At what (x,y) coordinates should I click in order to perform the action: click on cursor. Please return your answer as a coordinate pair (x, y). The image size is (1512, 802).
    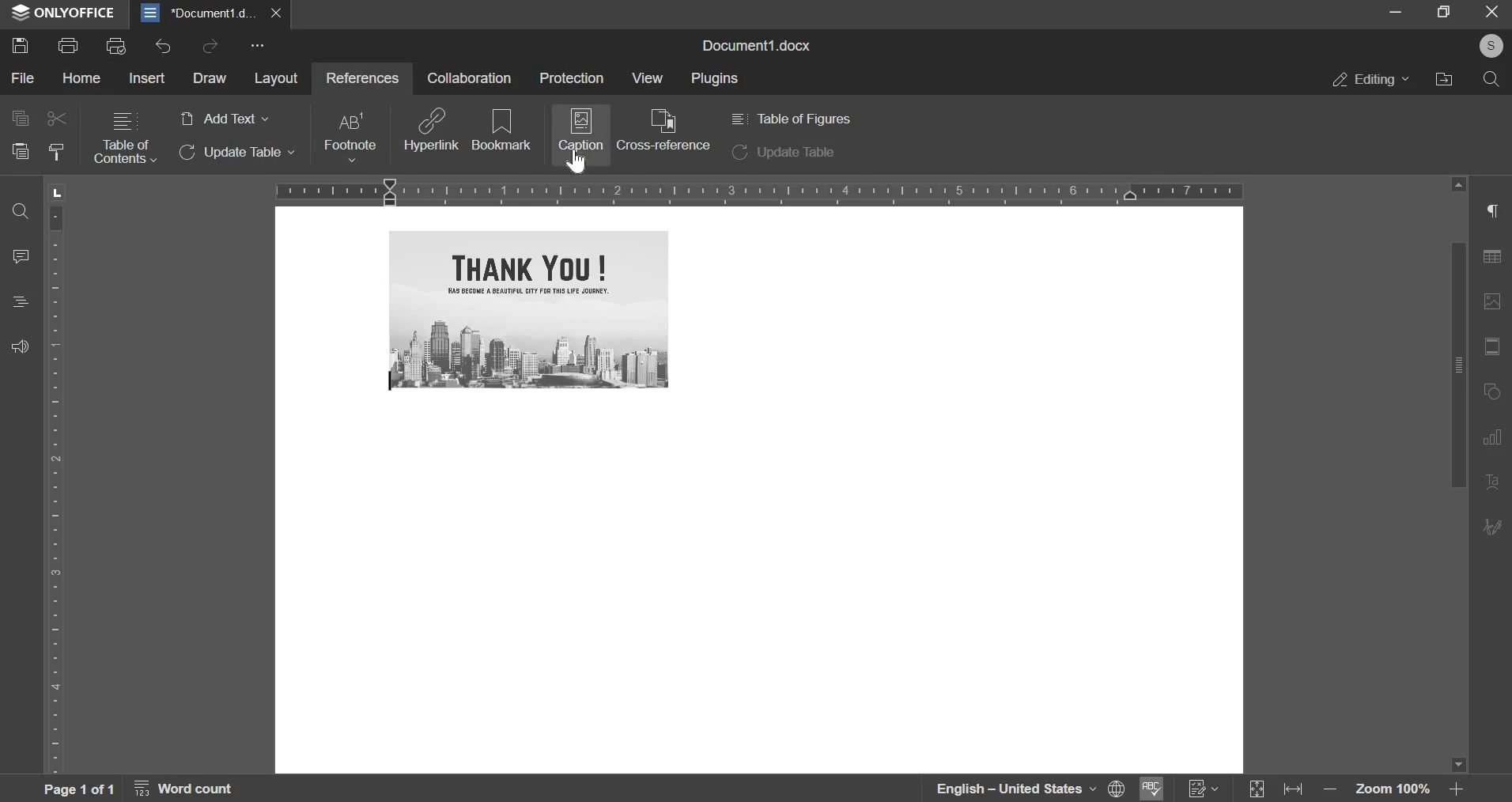
    Looking at the image, I should click on (576, 162).